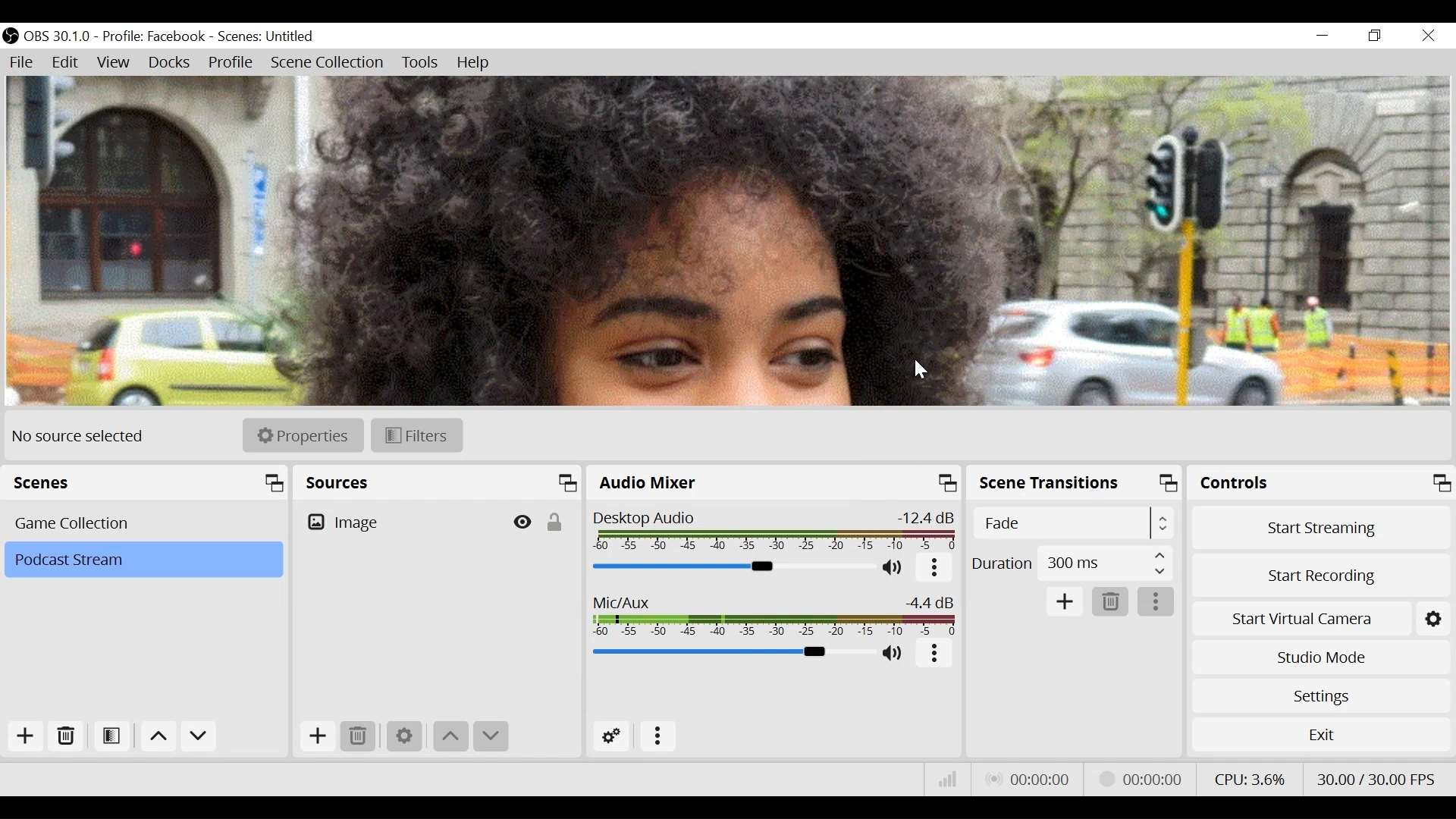 The image size is (1456, 819). Describe the element at coordinates (397, 523) in the screenshot. I see `Image` at that location.